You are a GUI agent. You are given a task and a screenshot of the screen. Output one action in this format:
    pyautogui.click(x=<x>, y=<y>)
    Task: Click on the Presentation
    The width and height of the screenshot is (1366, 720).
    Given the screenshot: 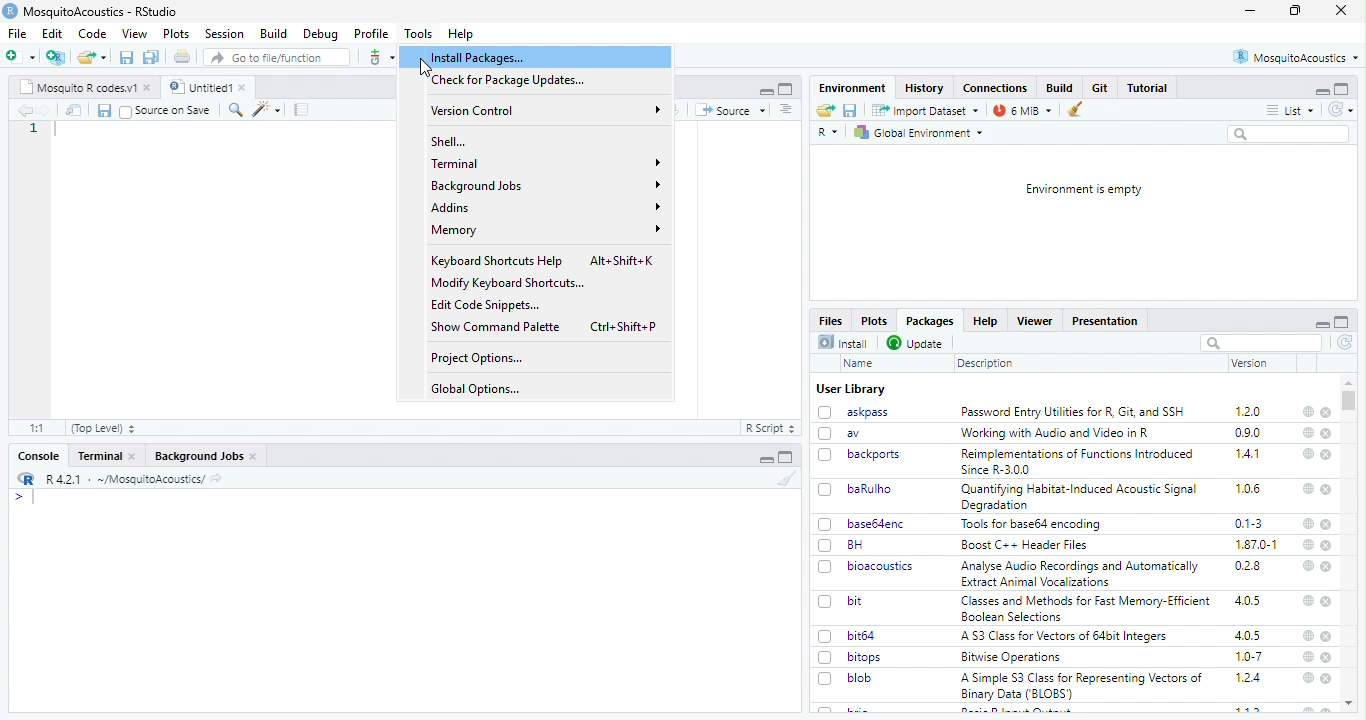 What is the action you would take?
    pyautogui.click(x=1105, y=322)
    